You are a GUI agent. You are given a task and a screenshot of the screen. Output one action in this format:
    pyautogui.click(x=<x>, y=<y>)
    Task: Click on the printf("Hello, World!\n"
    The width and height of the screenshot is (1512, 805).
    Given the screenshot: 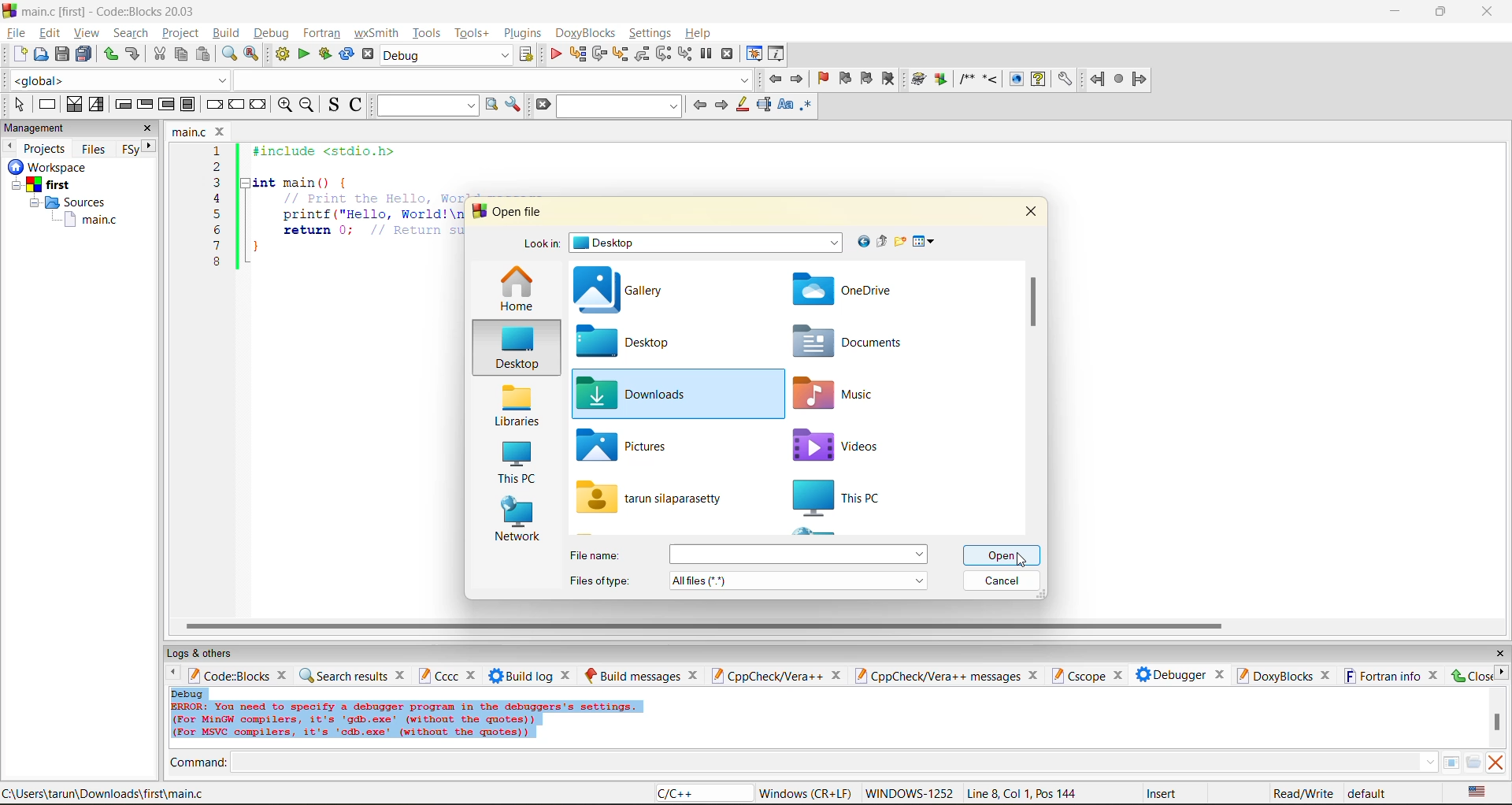 What is the action you would take?
    pyautogui.click(x=372, y=214)
    